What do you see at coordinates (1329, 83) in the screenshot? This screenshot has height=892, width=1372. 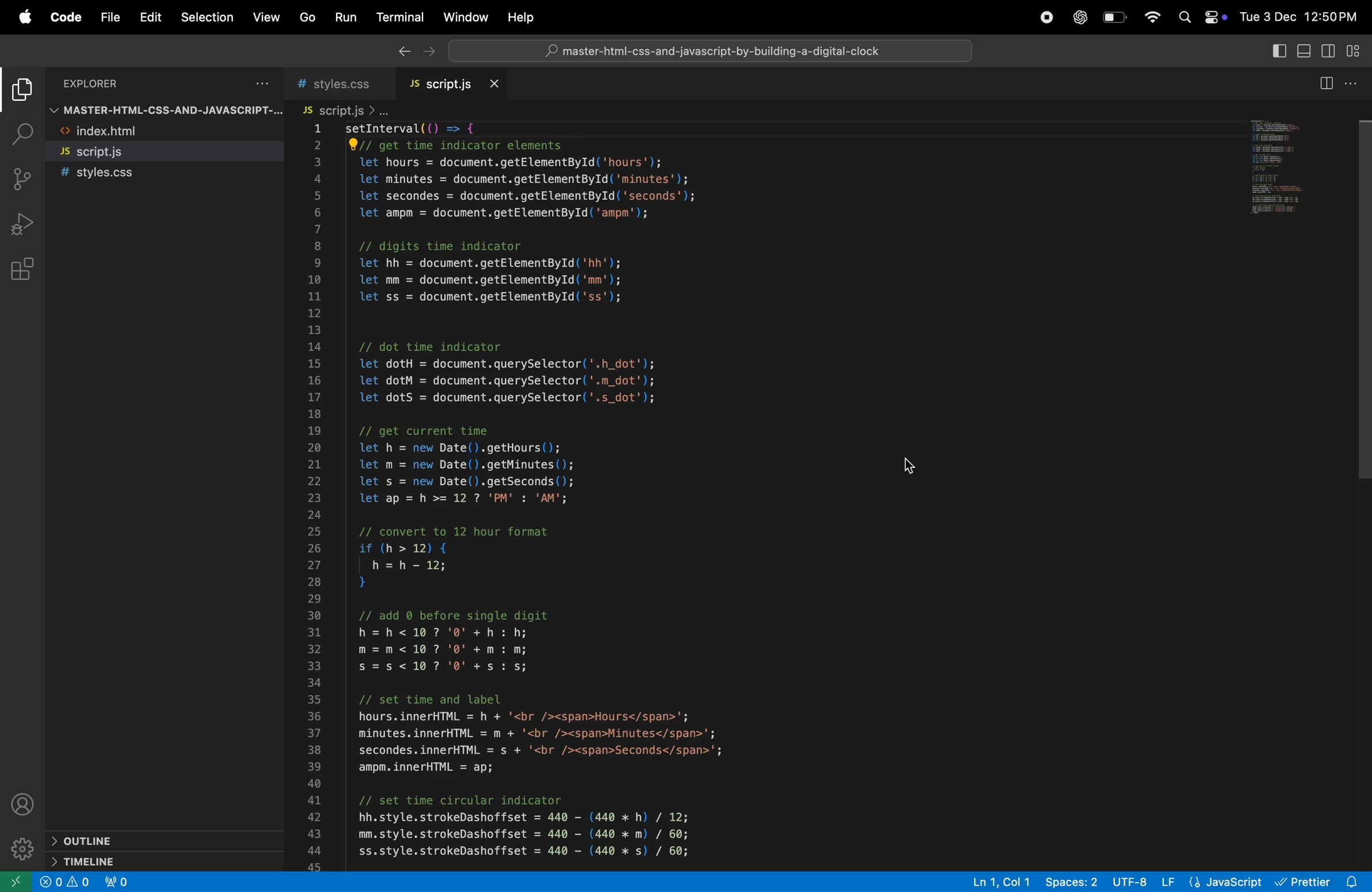 I see `split editor` at bounding box center [1329, 83].